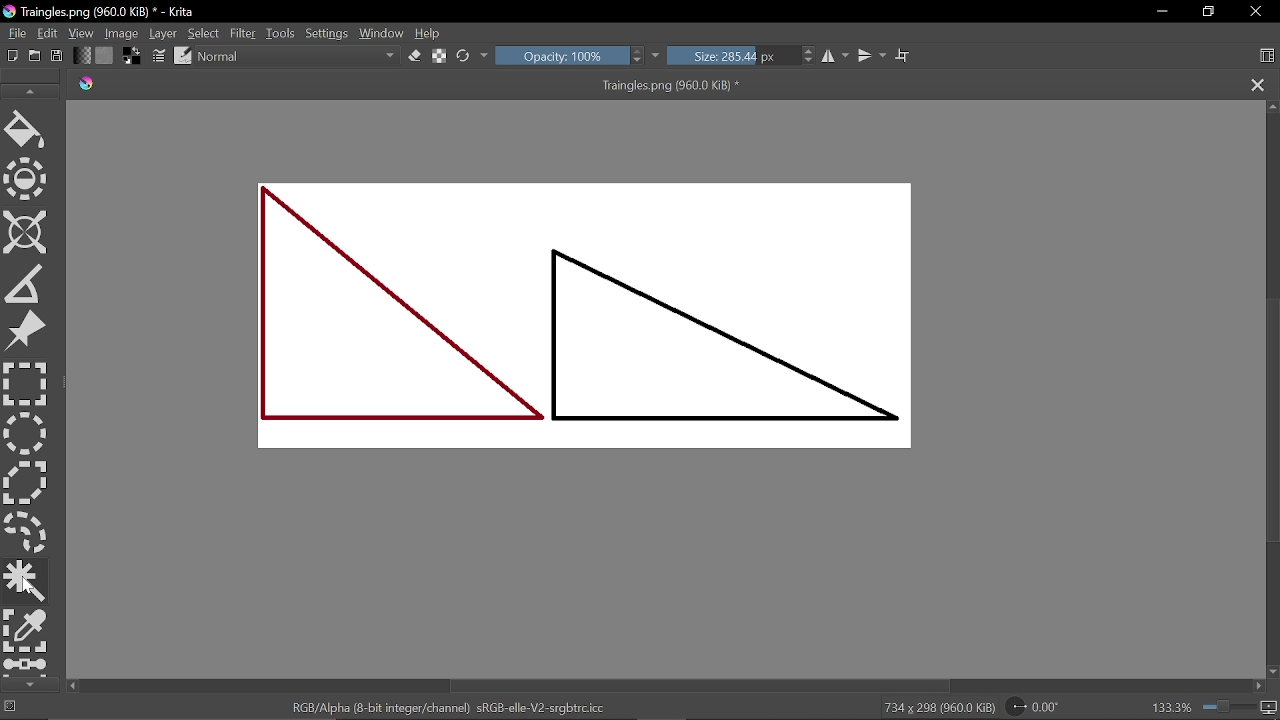 The image size is (1280, 720). I want to click on Minimize, so click(1162, 11).